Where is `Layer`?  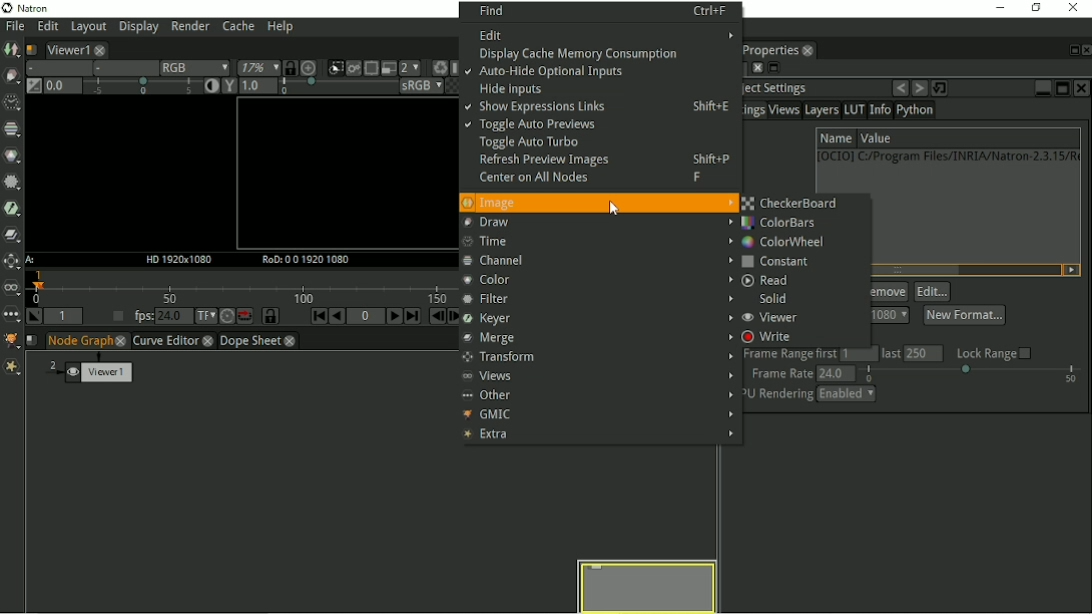 Layer is located at coordinates (55, 68).